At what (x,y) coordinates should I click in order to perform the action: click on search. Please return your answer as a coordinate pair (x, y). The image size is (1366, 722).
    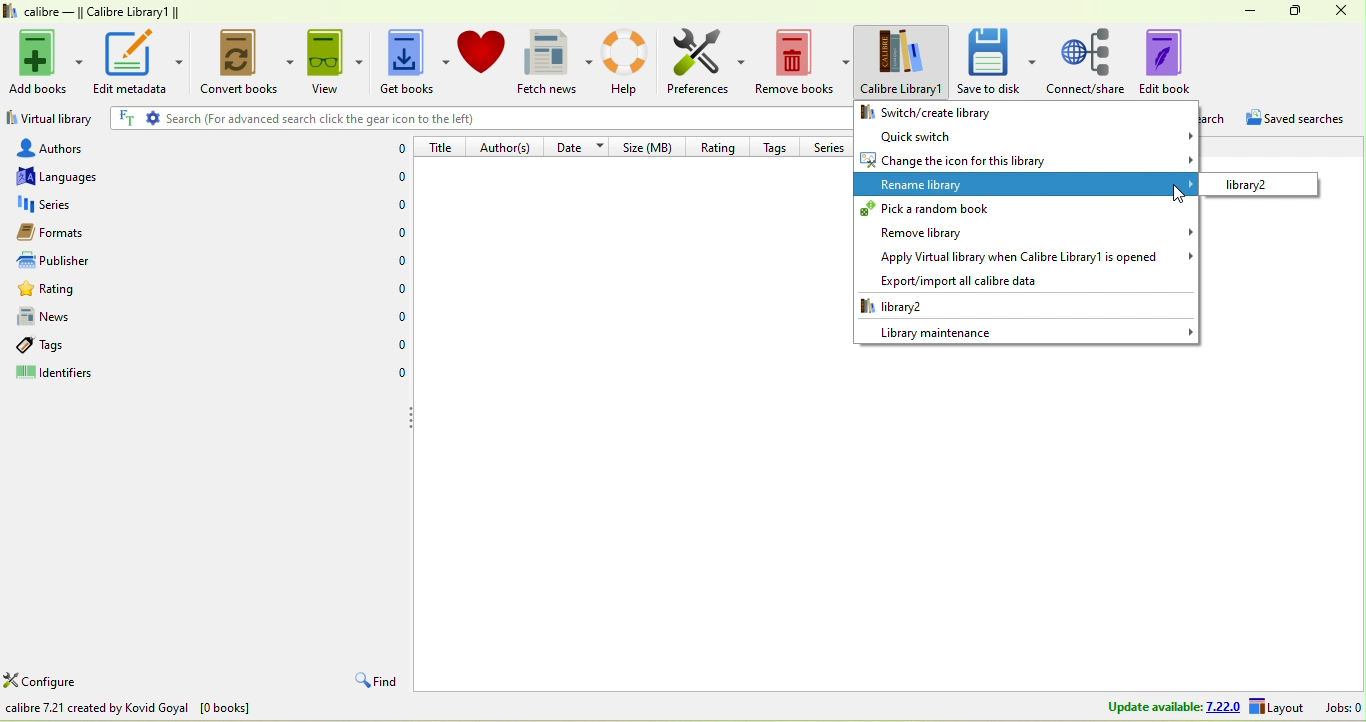
    Looking at the image, I should click on (1217, 120).